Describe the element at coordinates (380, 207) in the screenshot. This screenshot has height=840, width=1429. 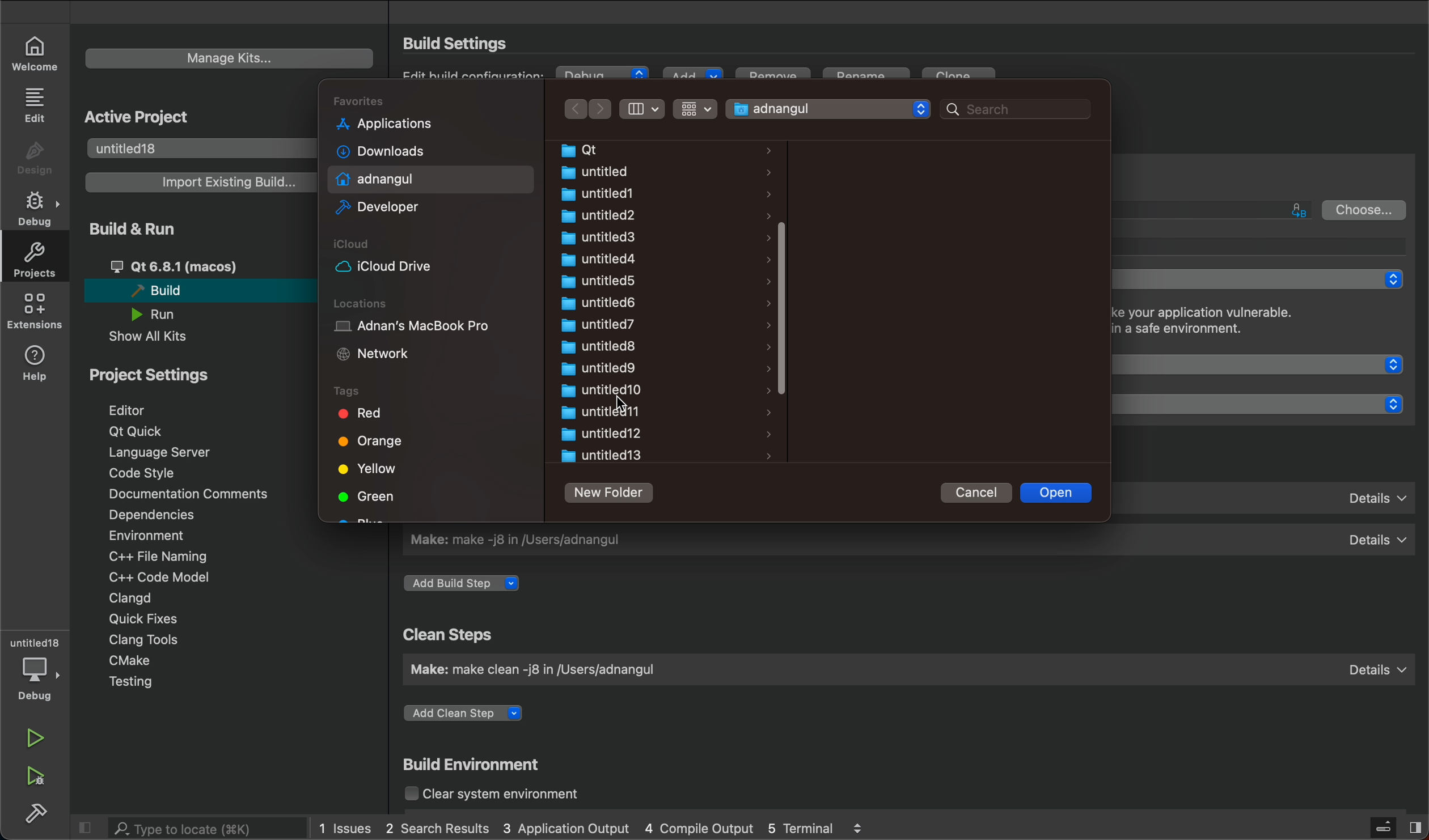
I see `Developer` at that location.